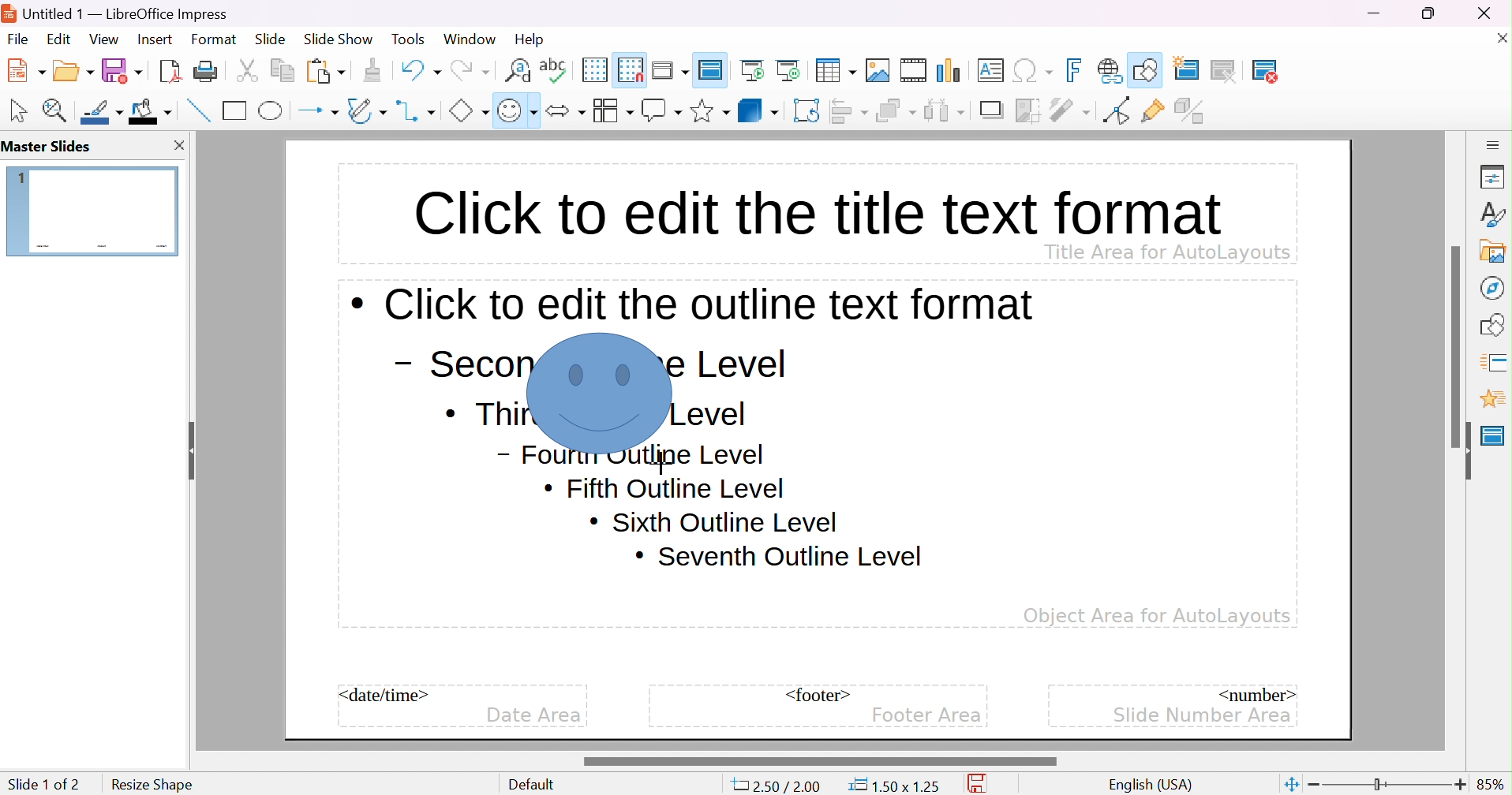 The image size is (1512, 795). Describe the element at coordinates (539, 338) in the screenshot. I see `cursor` at that location.